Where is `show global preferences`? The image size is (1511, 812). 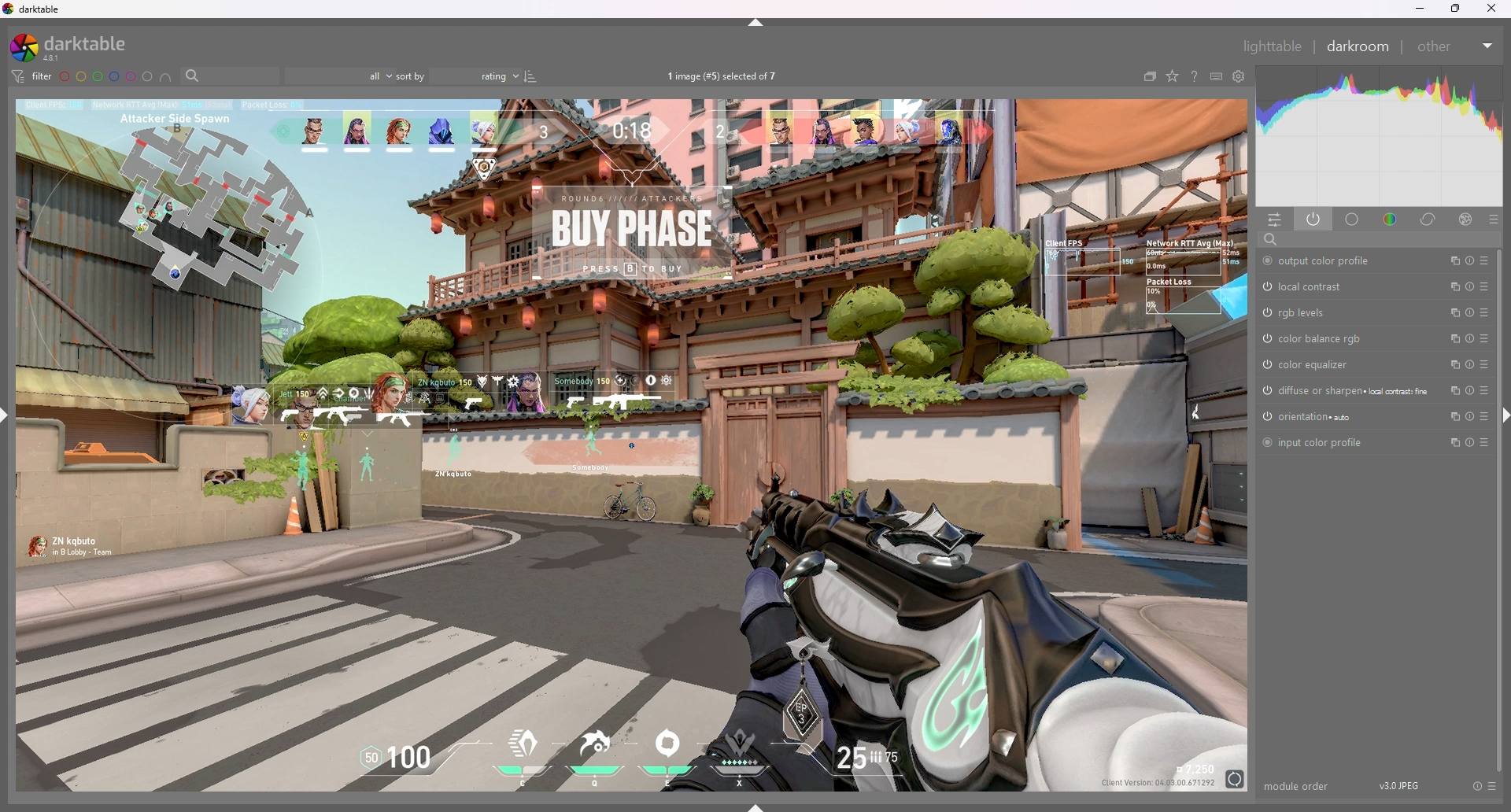
show global preferences is located at coordinates (1239, 76).